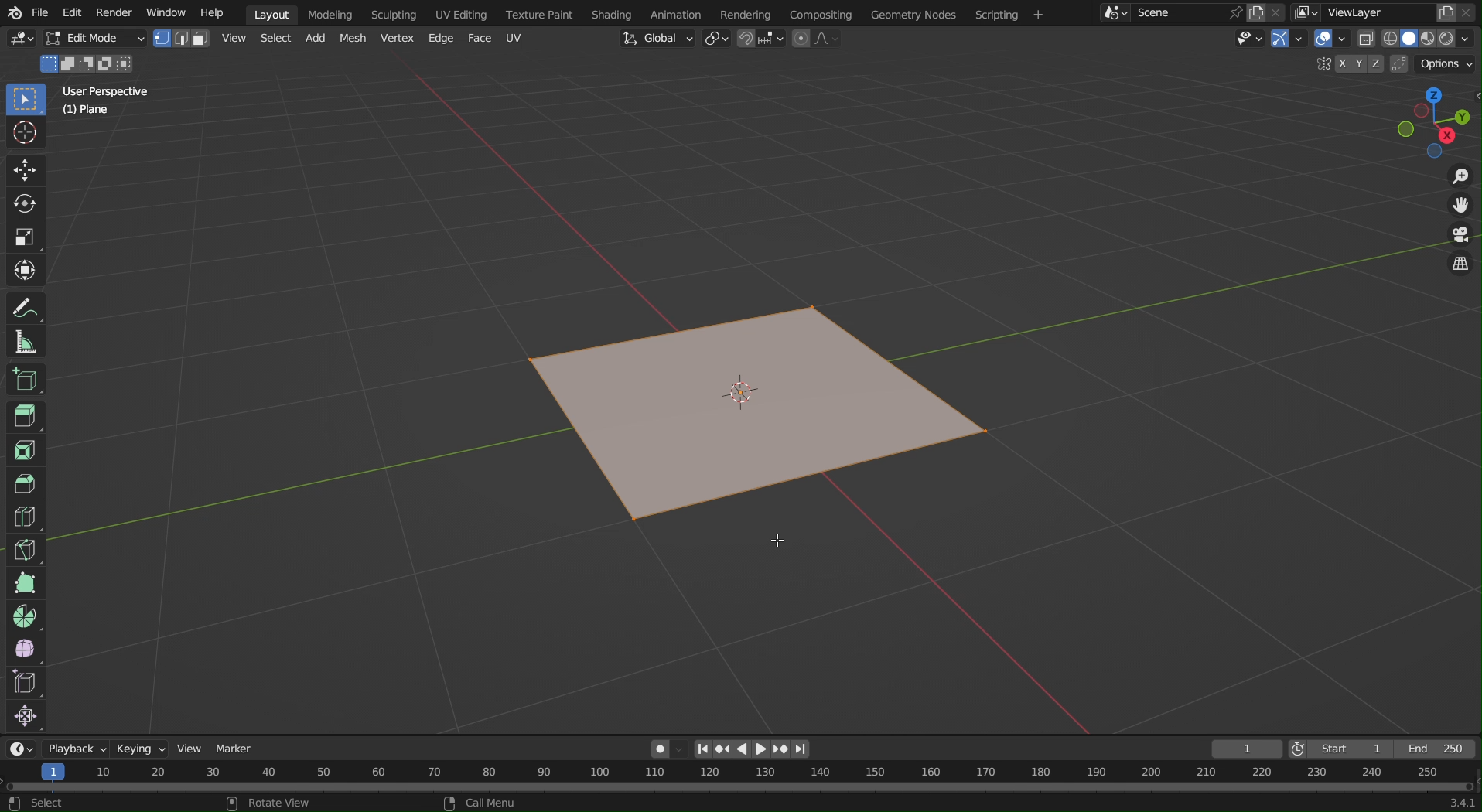 The width and height of the screenshot is (1482, 812). Describe the element at coordinates (236, 750) in the screenshot. I see `Marker` at that location.